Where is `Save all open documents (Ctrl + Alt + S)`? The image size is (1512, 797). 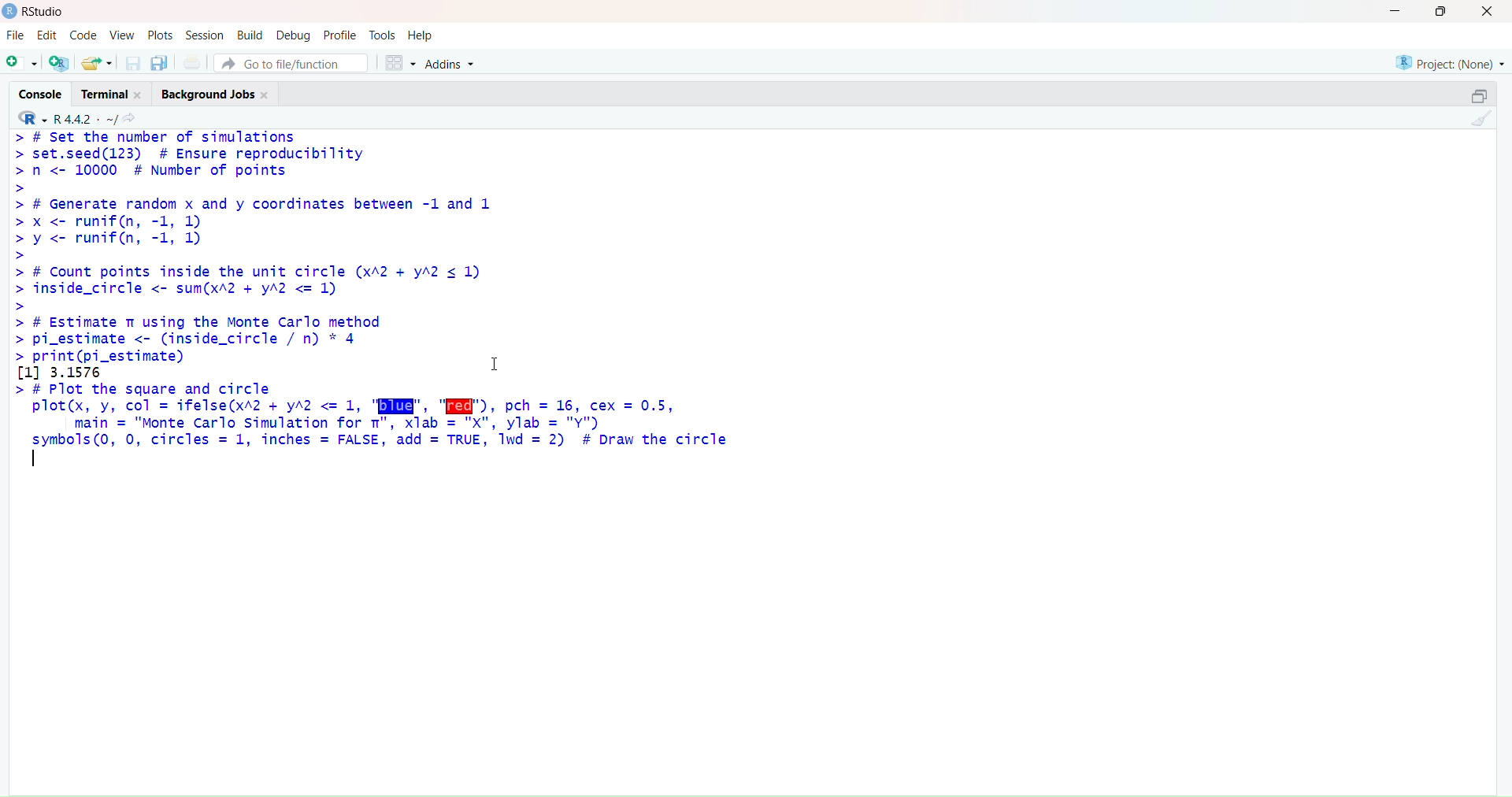
Save all open documents (Ctrl + Alt + S) is located at coordinates (161, 61).